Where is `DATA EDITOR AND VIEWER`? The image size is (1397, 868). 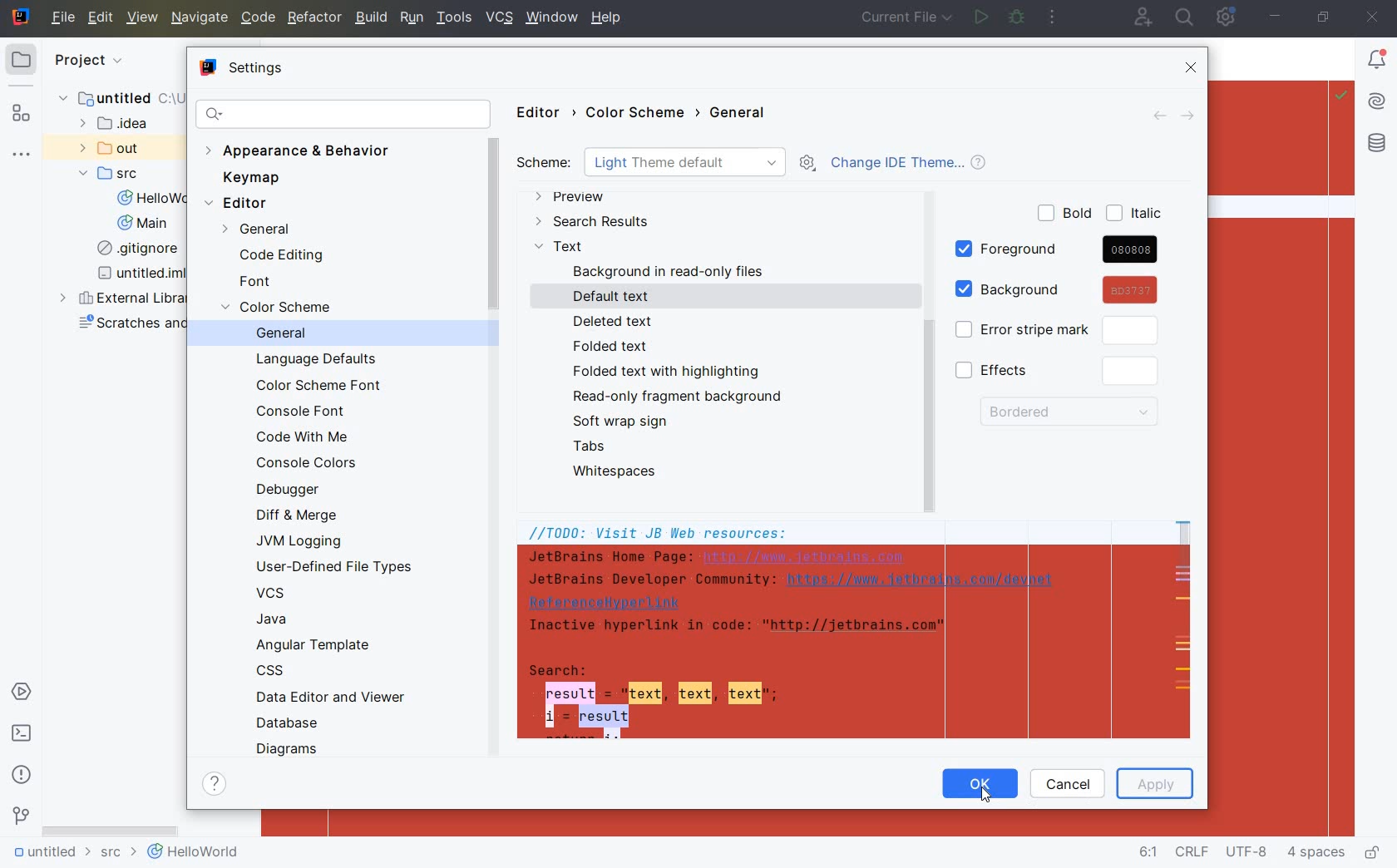 DATA EDITOR AND VIEWER is located at coordinates (328, 698).